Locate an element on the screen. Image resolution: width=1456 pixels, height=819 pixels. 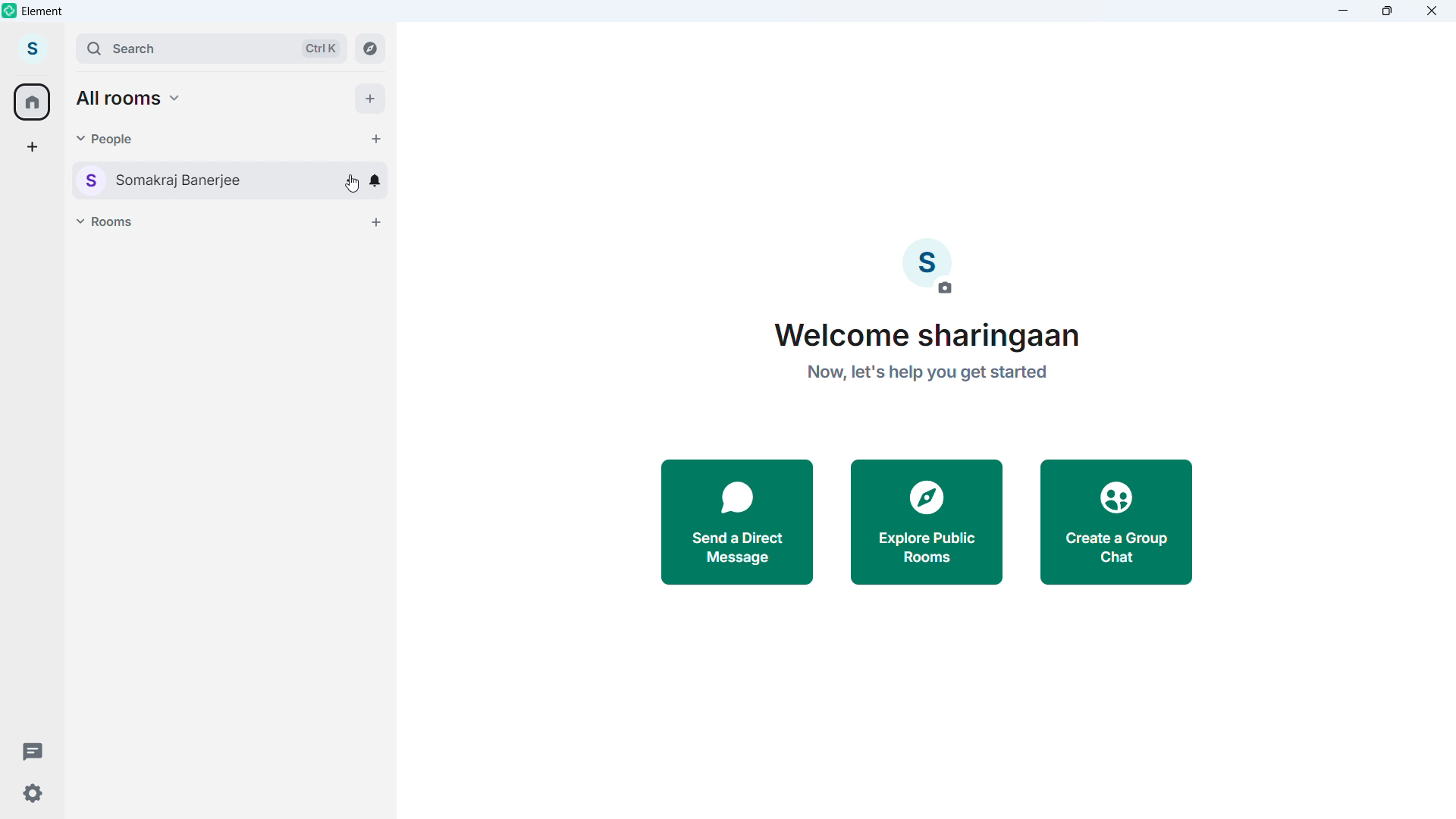
cursor  is located at coordinates (352, 187).